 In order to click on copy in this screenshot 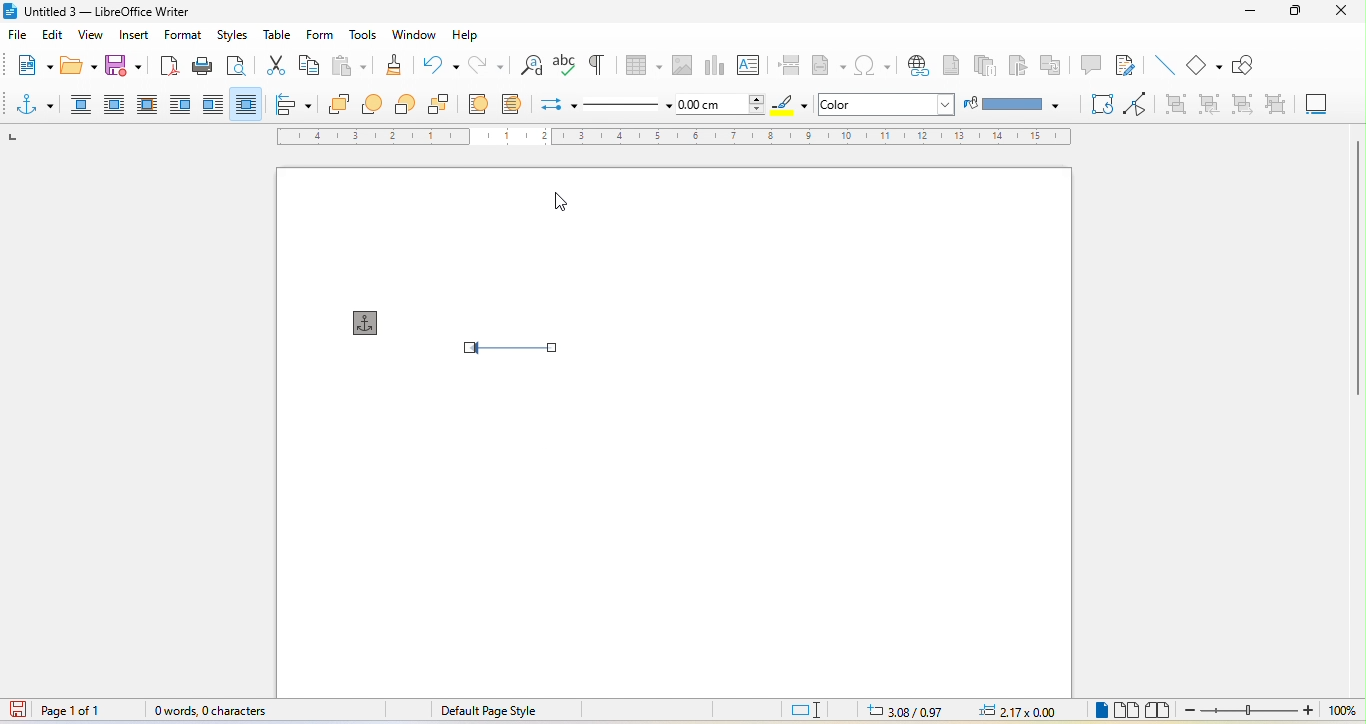, I will do `click(310, 64)`.